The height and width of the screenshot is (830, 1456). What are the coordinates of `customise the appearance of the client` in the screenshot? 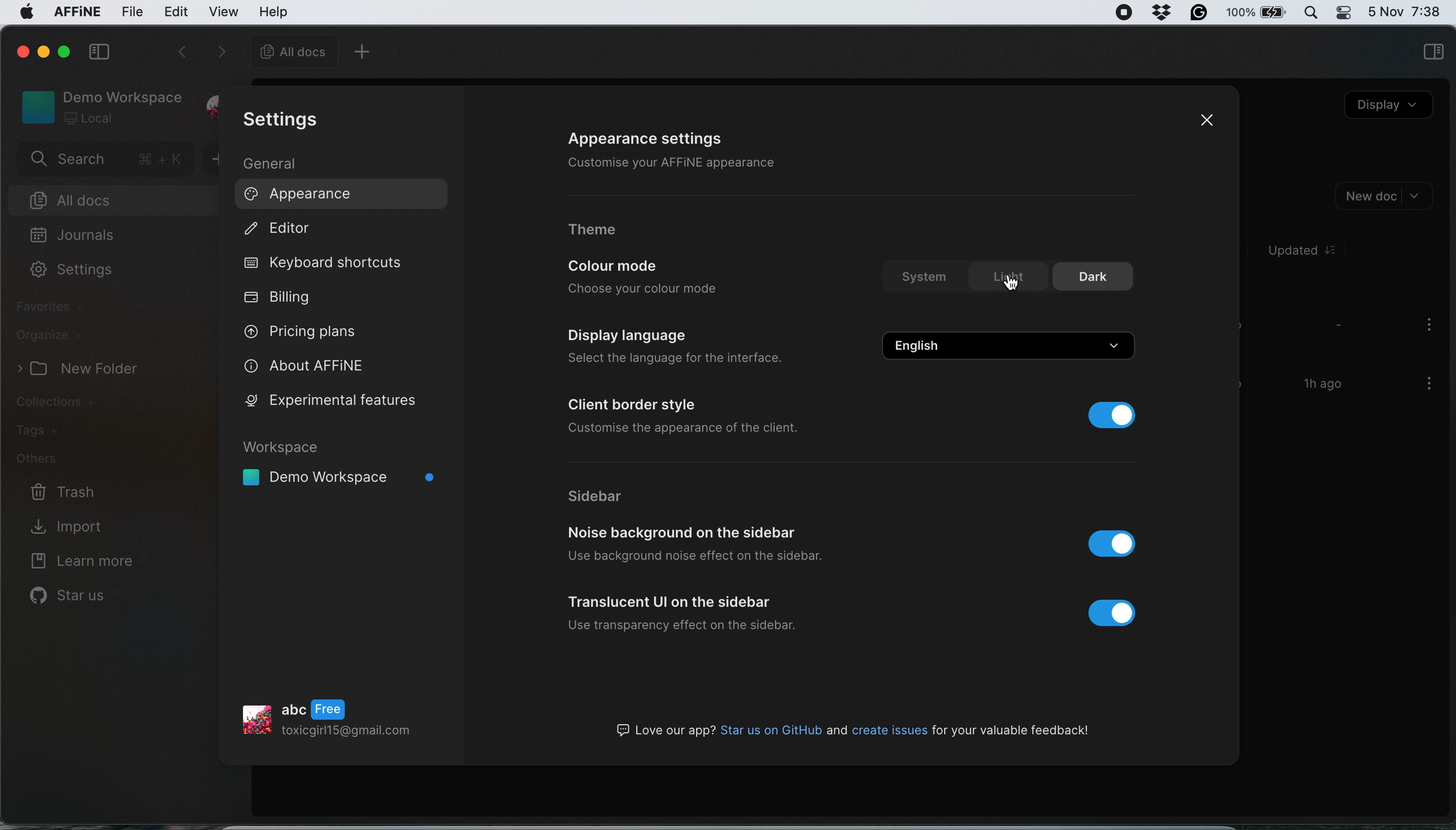 It's located at (688, 429).